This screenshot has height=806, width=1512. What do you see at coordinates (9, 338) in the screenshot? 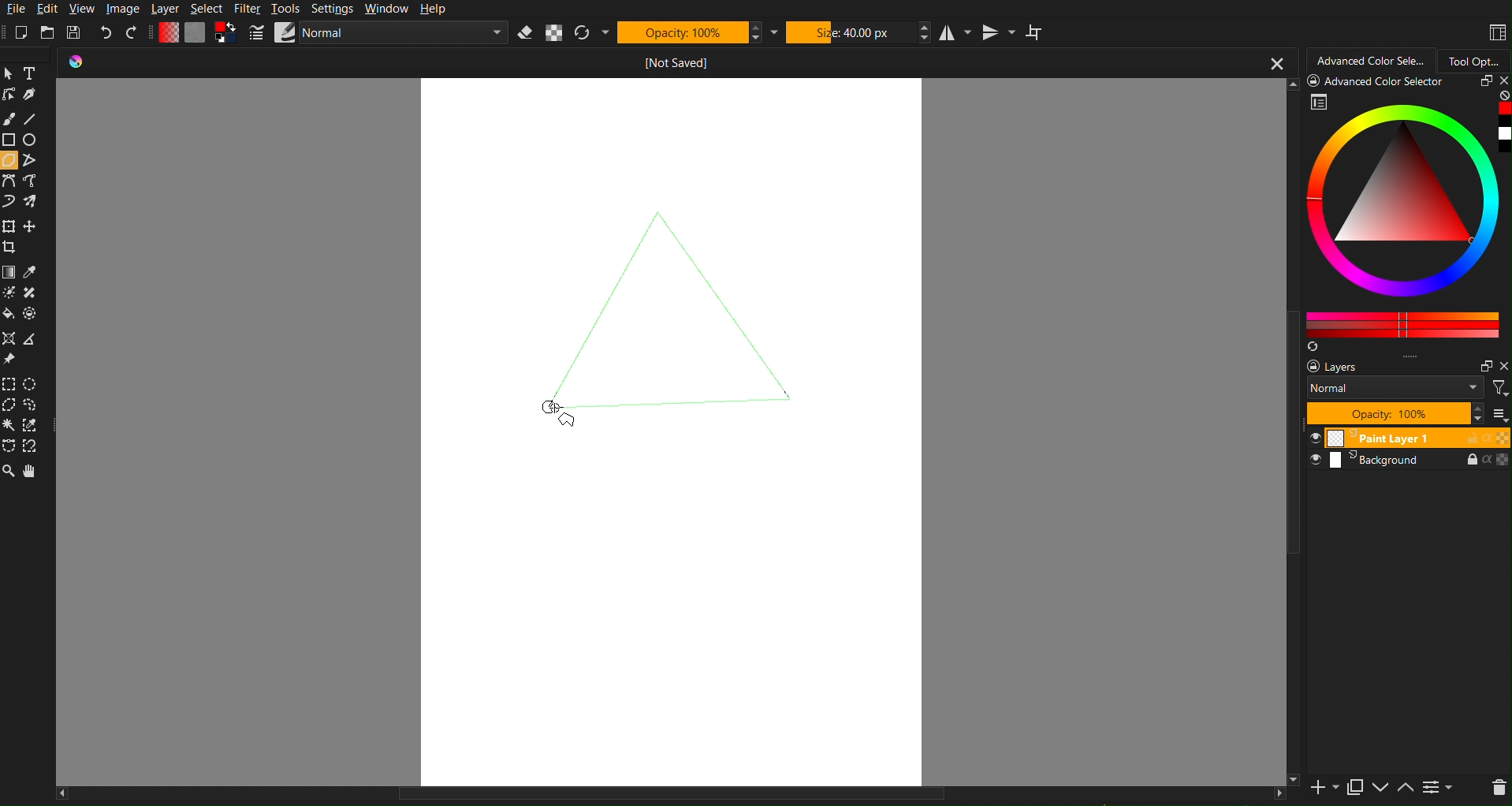
I see `assistant tool` at bounding box center [9, 338].